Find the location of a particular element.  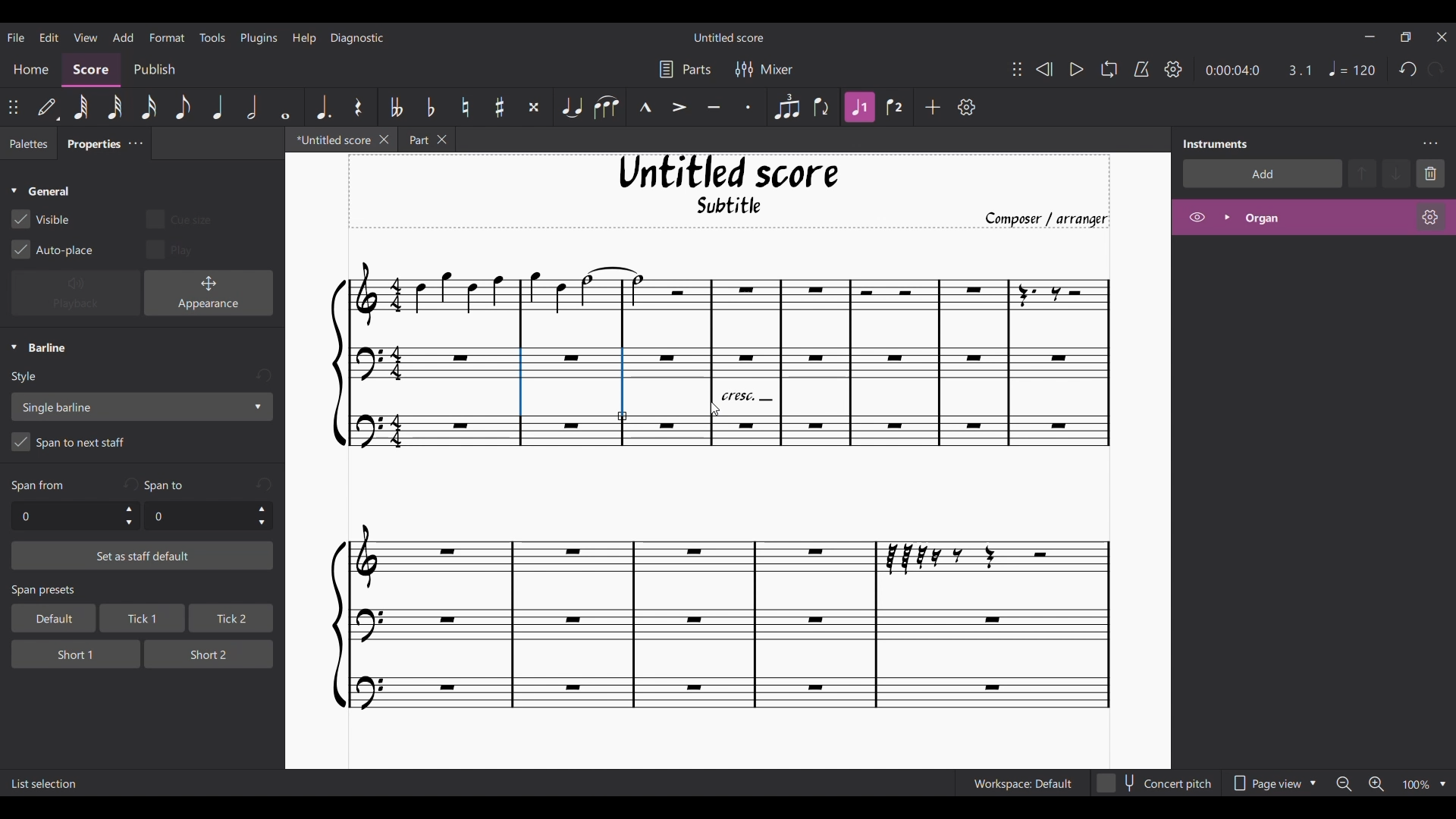

Toggle for Play is located at coordinates (171, 249).